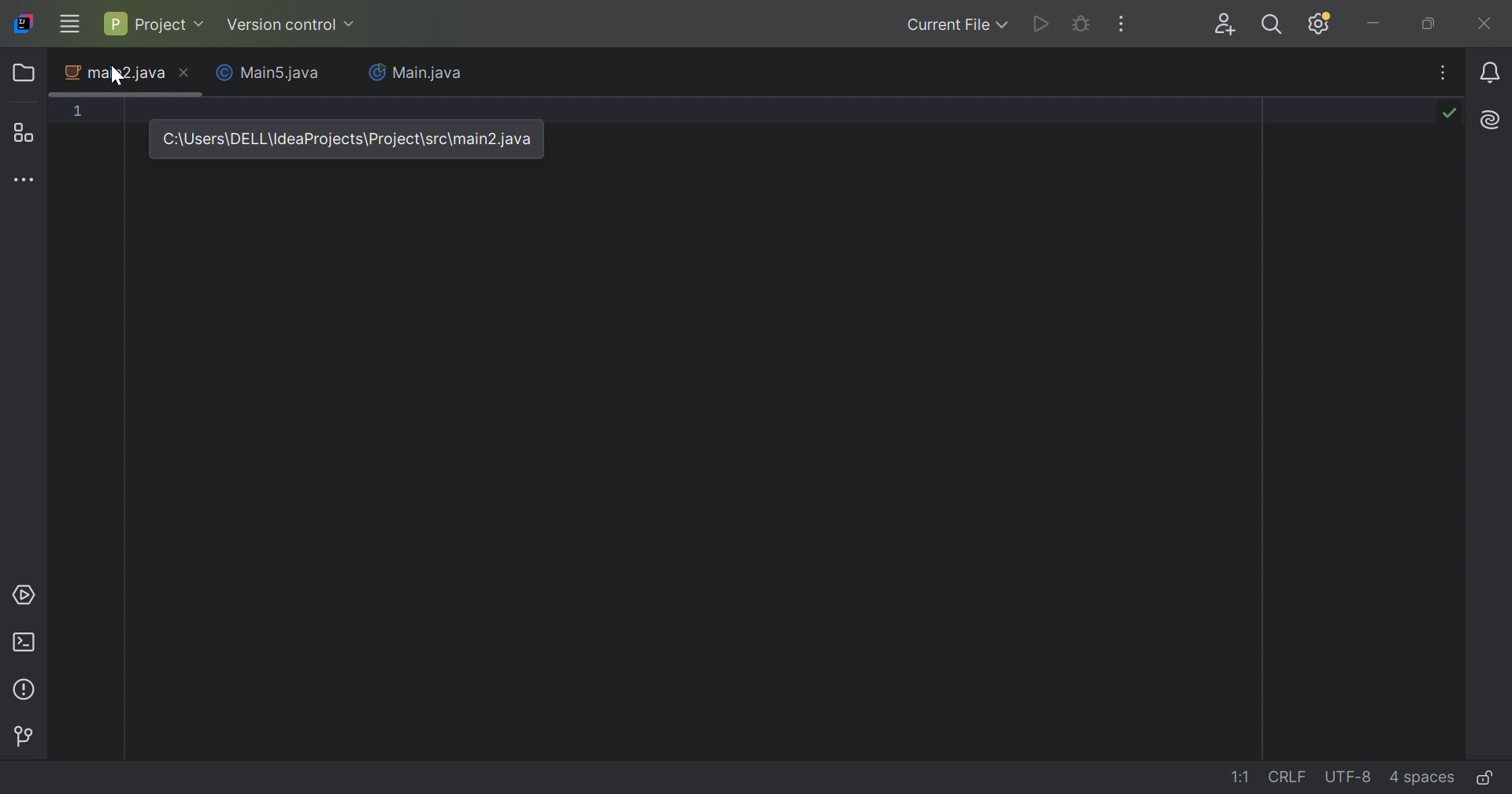  What do you see at coordinates (69, 24) in the screenshot?
I see `Main menu` at bounding box center [69, 24].